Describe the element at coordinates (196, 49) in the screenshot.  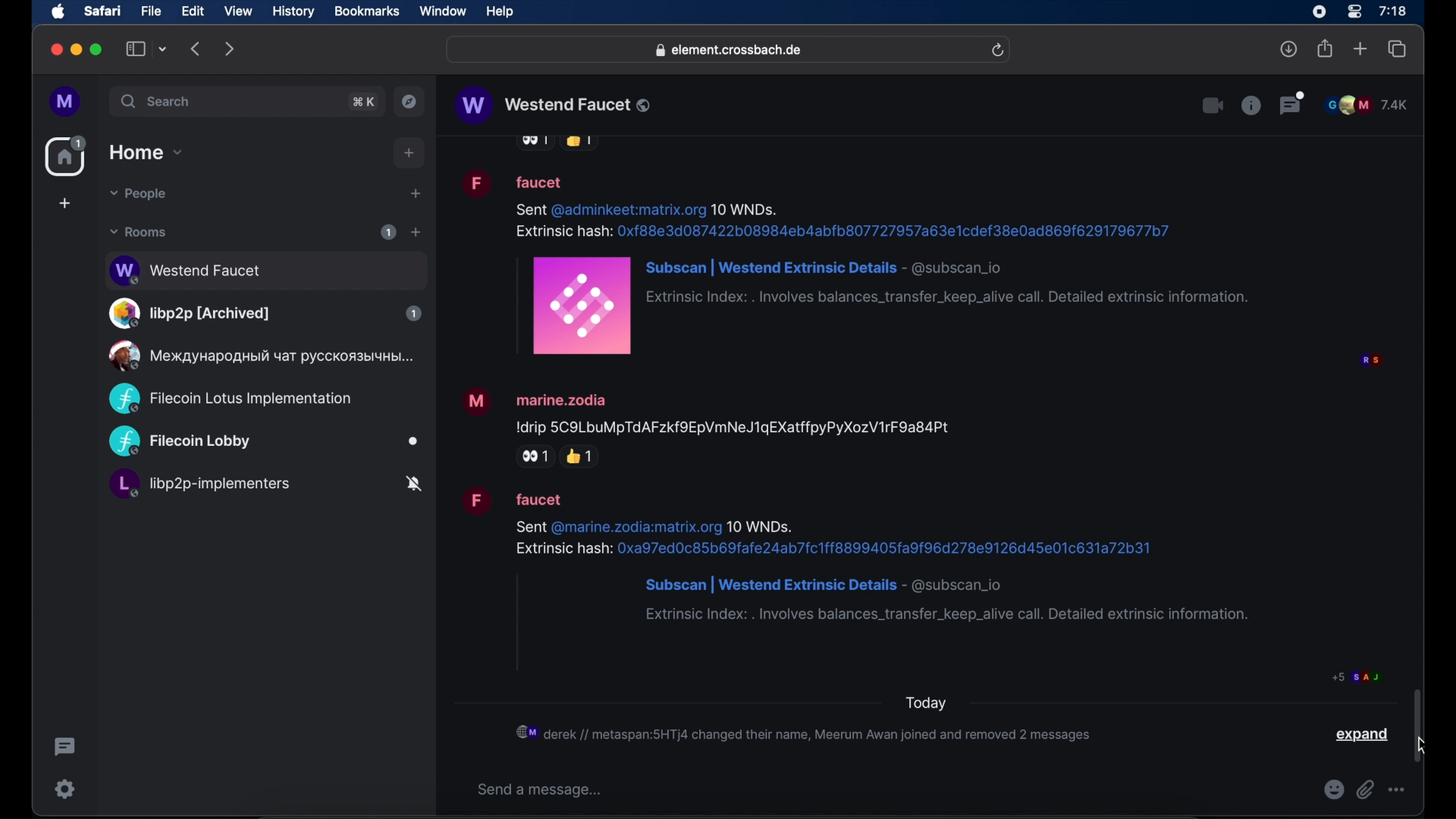
I see `backward` at that location.